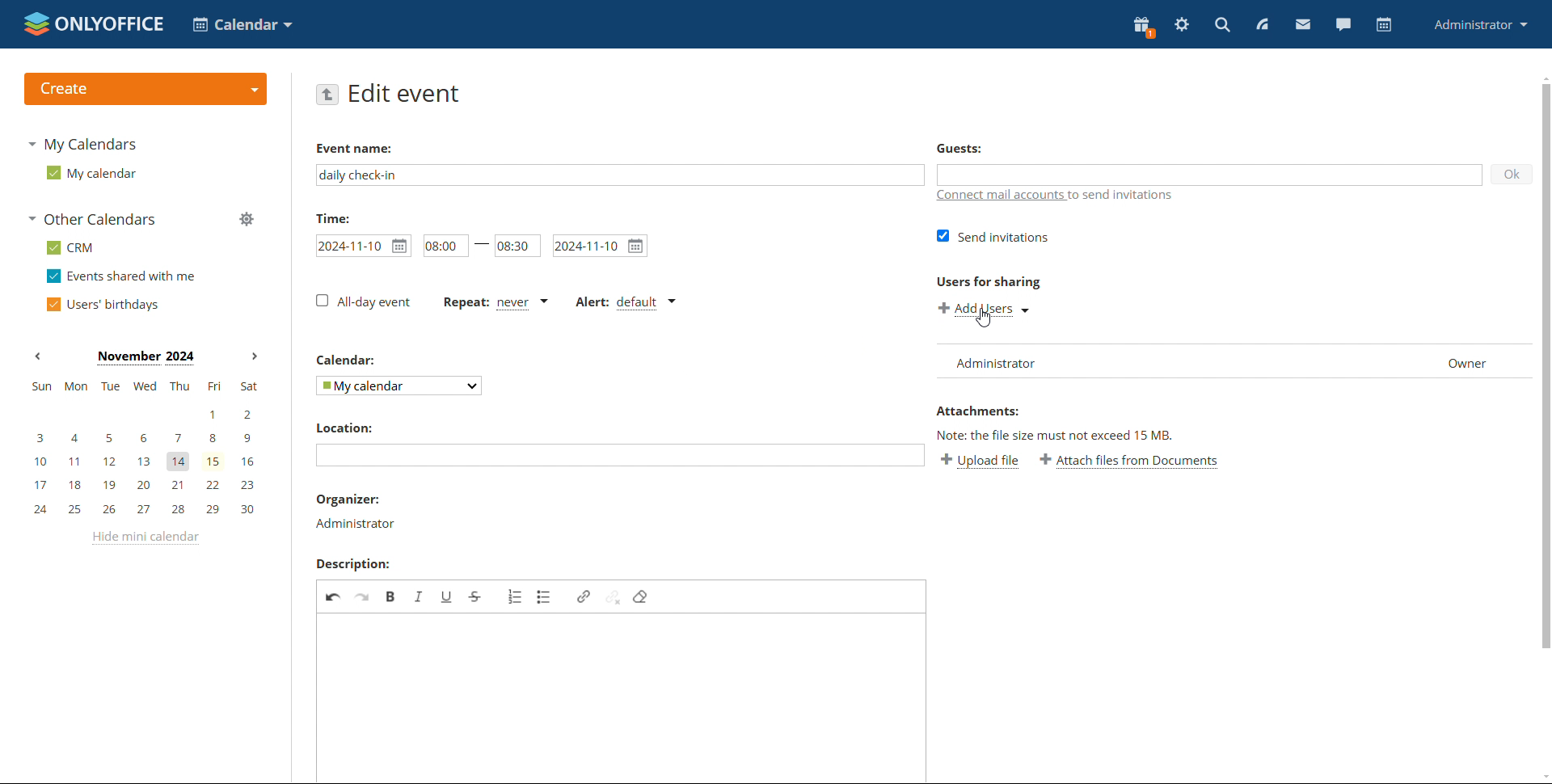  Describe the element at coordinates (1547, 365) in the screenshot. I see `scrollbar` at that location.